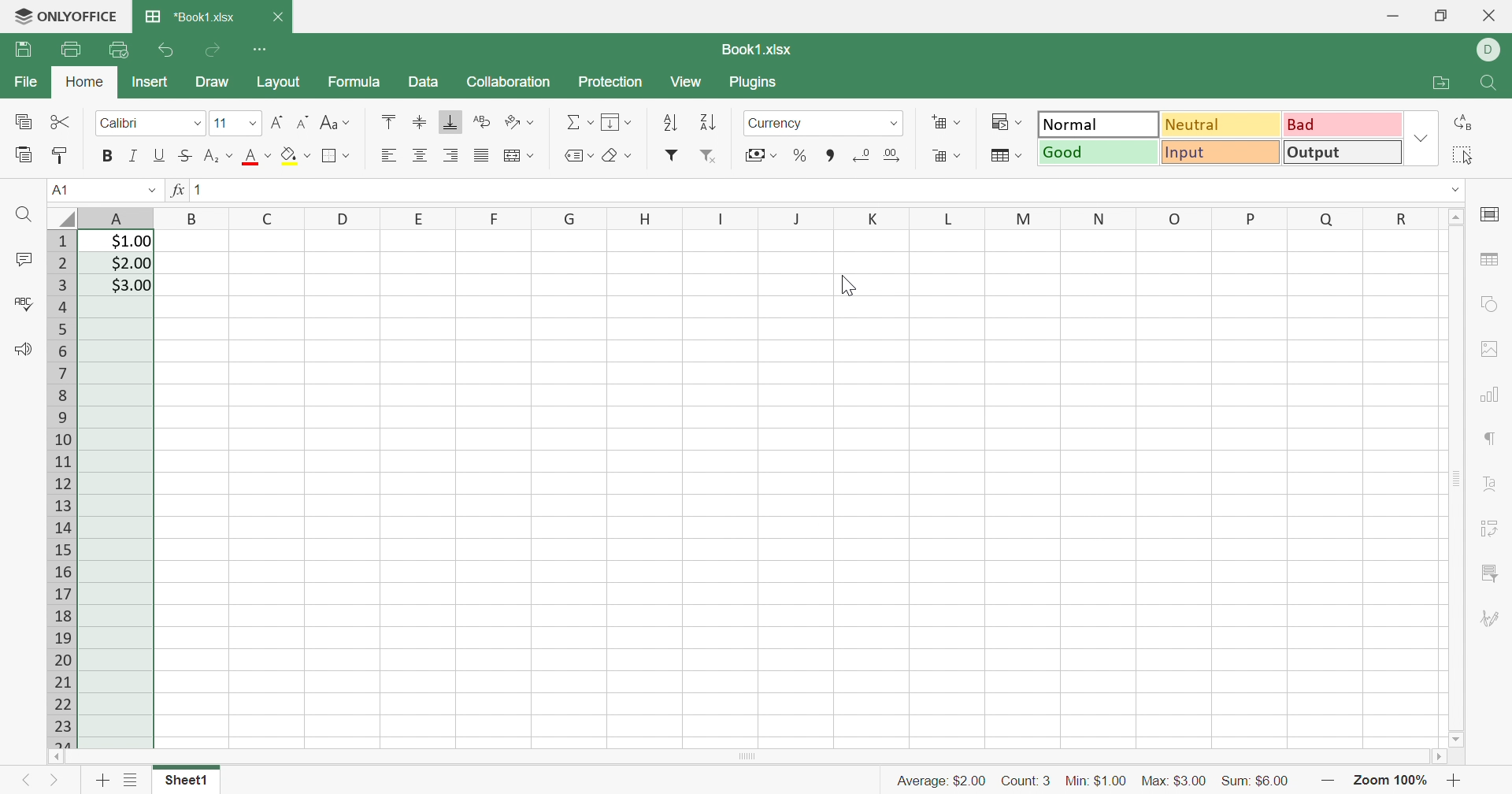 Image resolution: width=1512 pixels, height=794 pixels. What do you see at coordinates (1489, 302) in the screenshot?
I see `Shape settings` at bounding box center [1489, 302].